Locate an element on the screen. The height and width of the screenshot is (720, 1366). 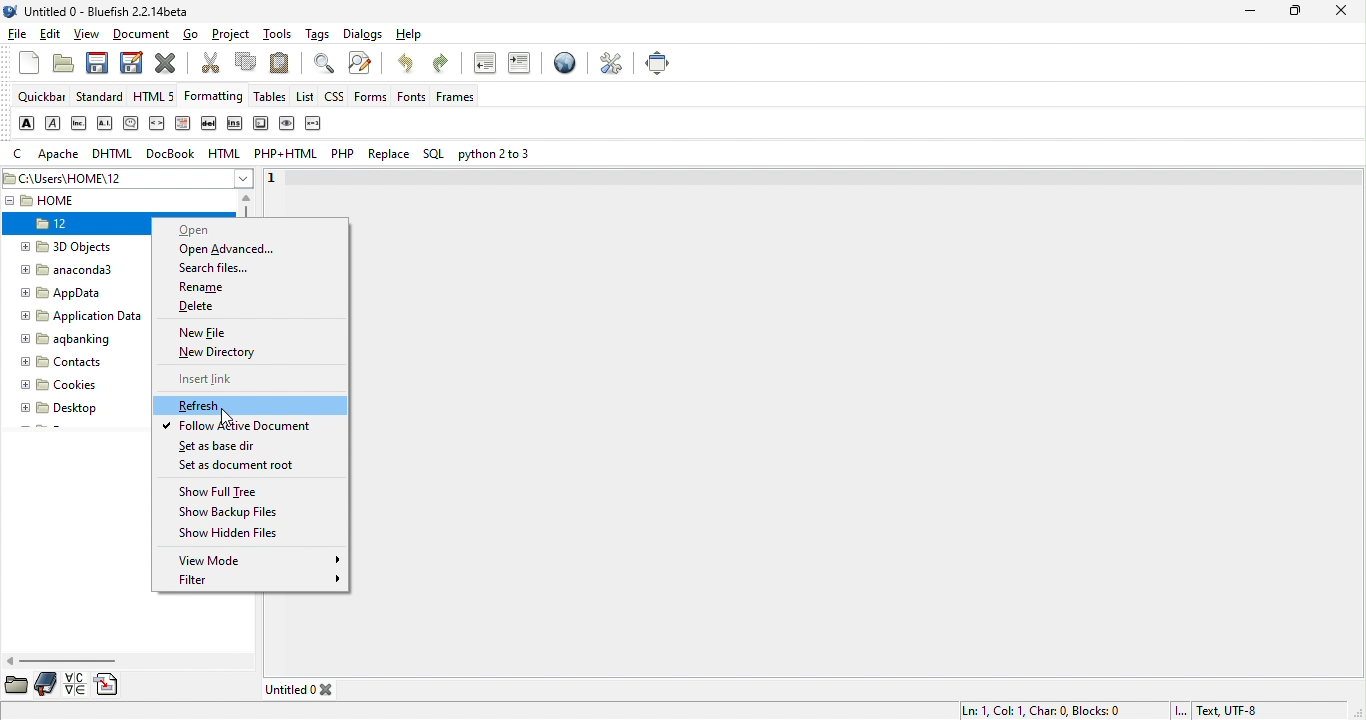
citation is located at coordinates (129, 124).